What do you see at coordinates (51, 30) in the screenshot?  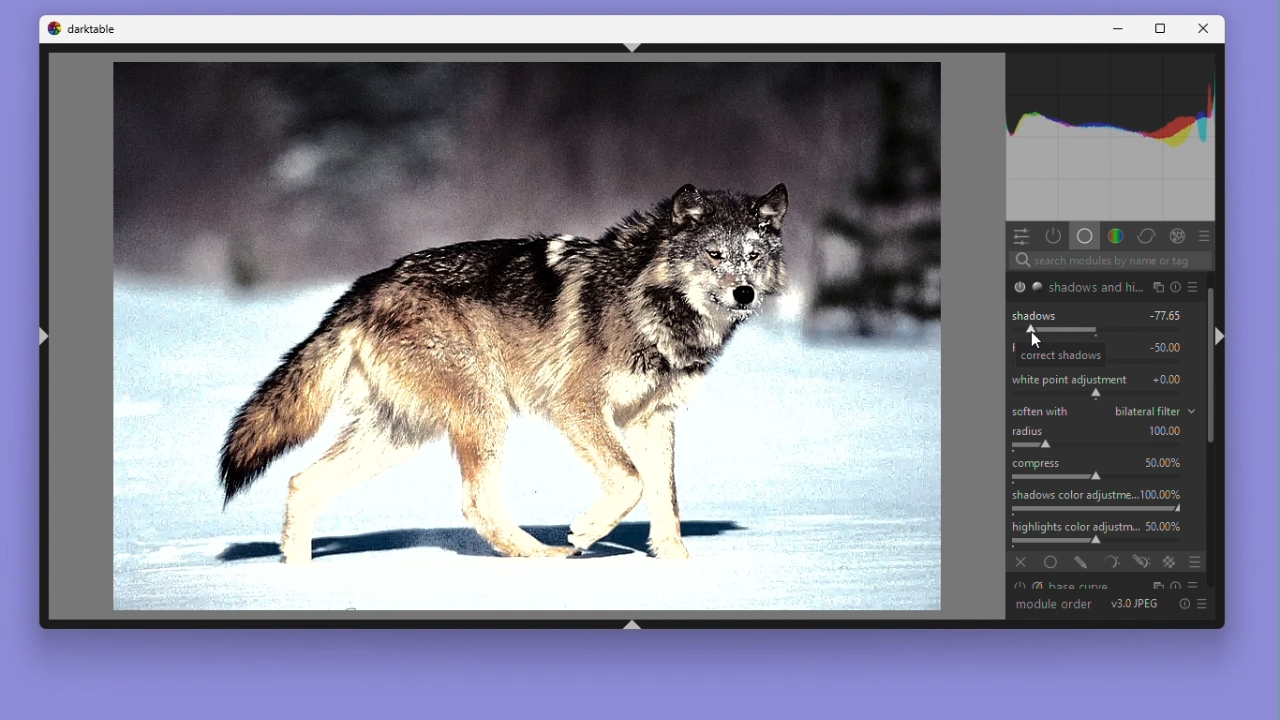 I see `Dark table logo` at bounding box center [51, 30].